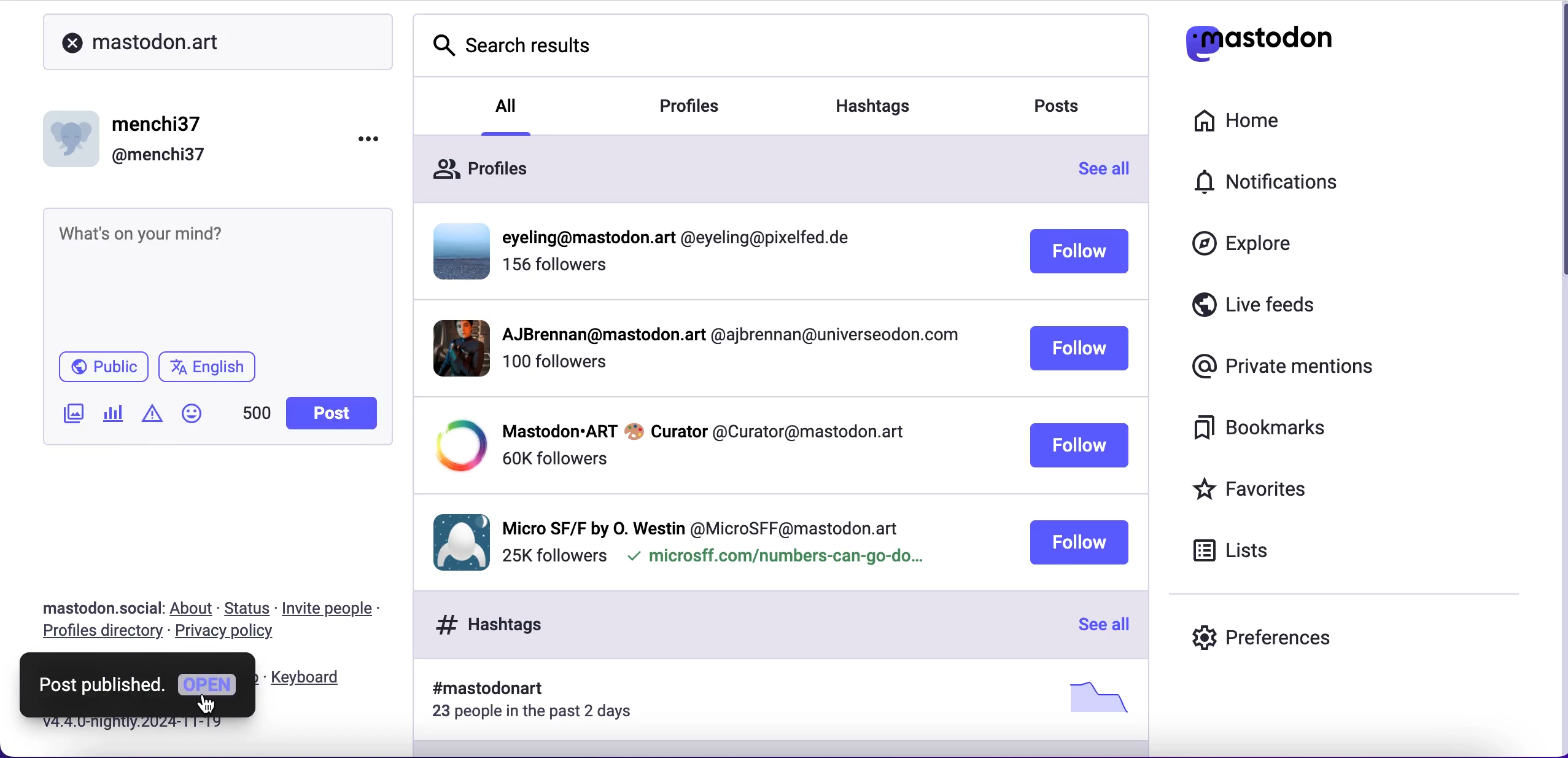  I want to click on live feeds, so click(1297, 305).